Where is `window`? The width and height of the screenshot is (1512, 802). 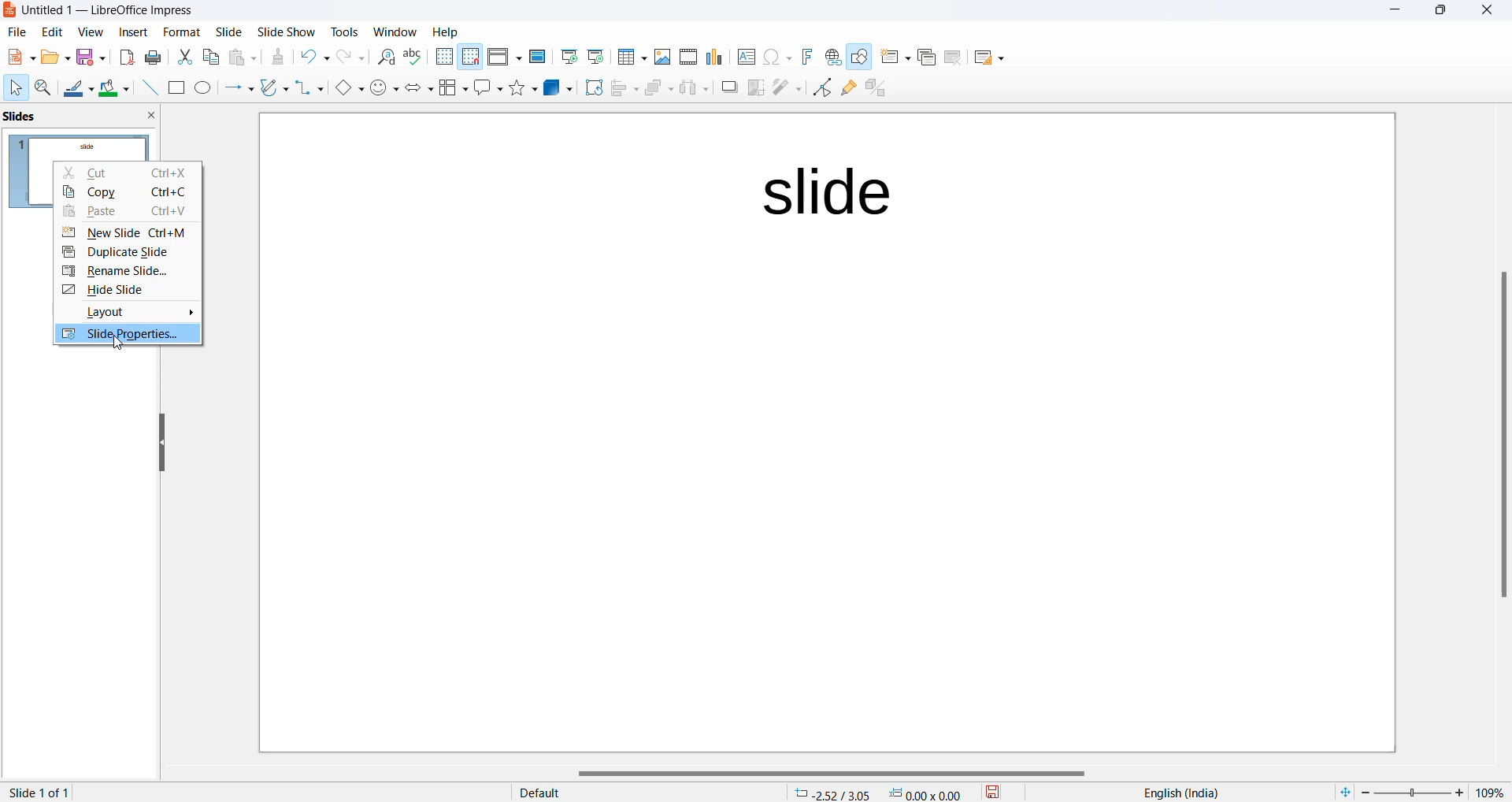 window is located at coordinates (395, 32).